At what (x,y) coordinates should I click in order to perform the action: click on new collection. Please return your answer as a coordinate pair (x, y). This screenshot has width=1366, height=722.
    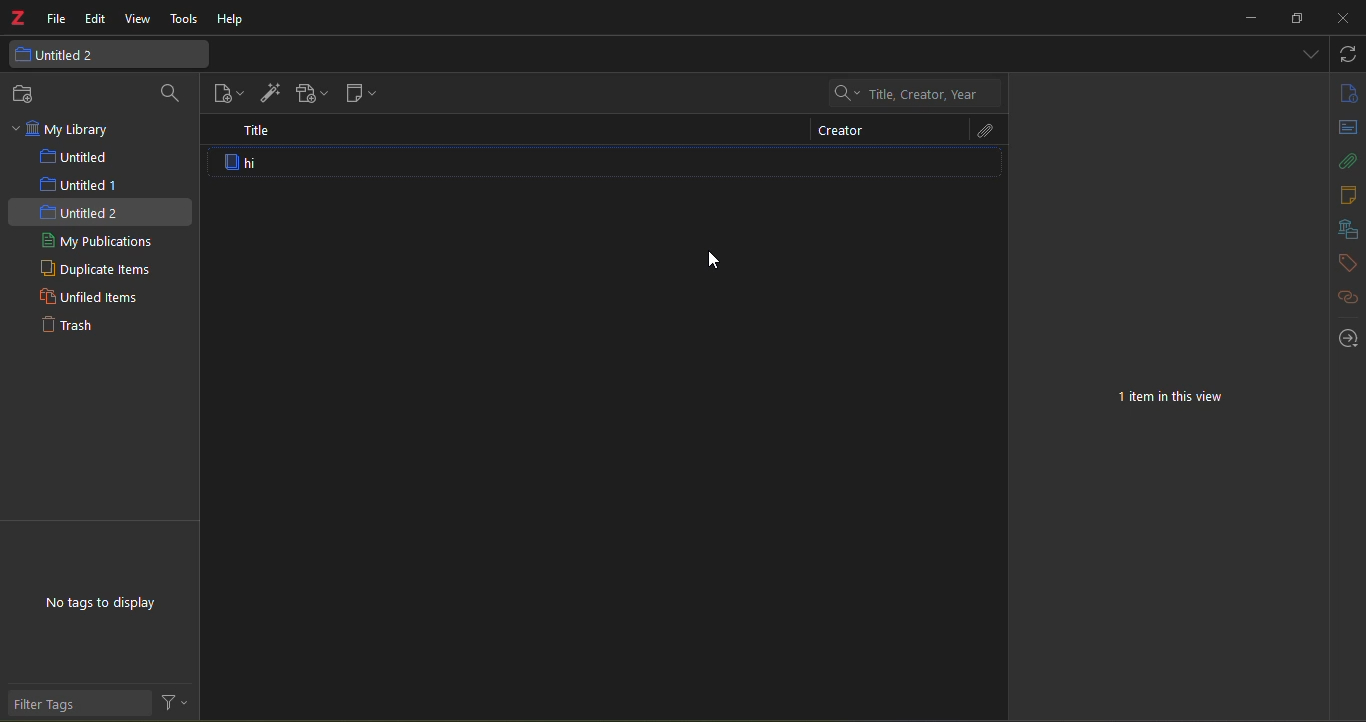
    Looking at the image, I should click on (28, 94).